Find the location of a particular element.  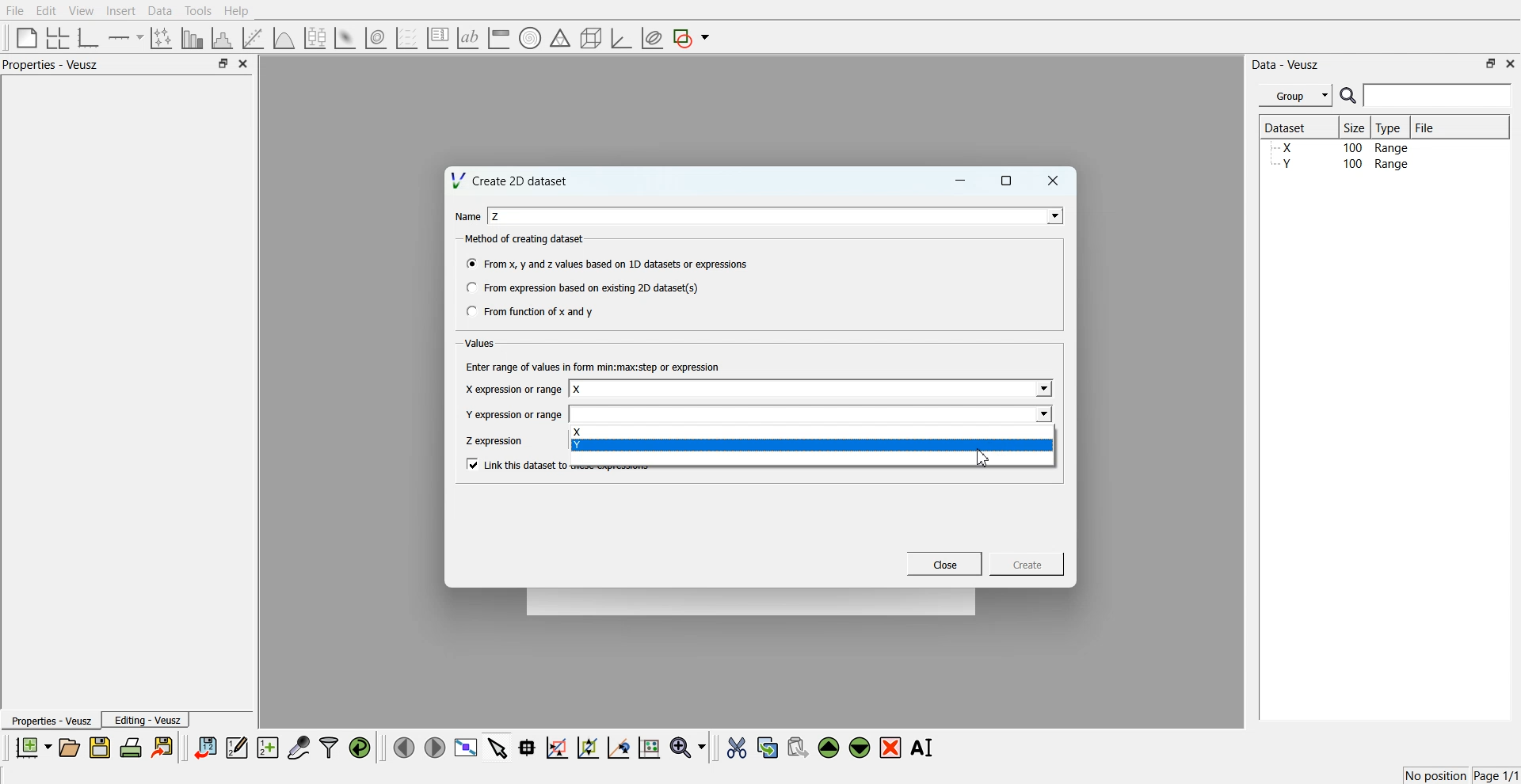

Move up the selected widget is located at coordinates (829, 748).